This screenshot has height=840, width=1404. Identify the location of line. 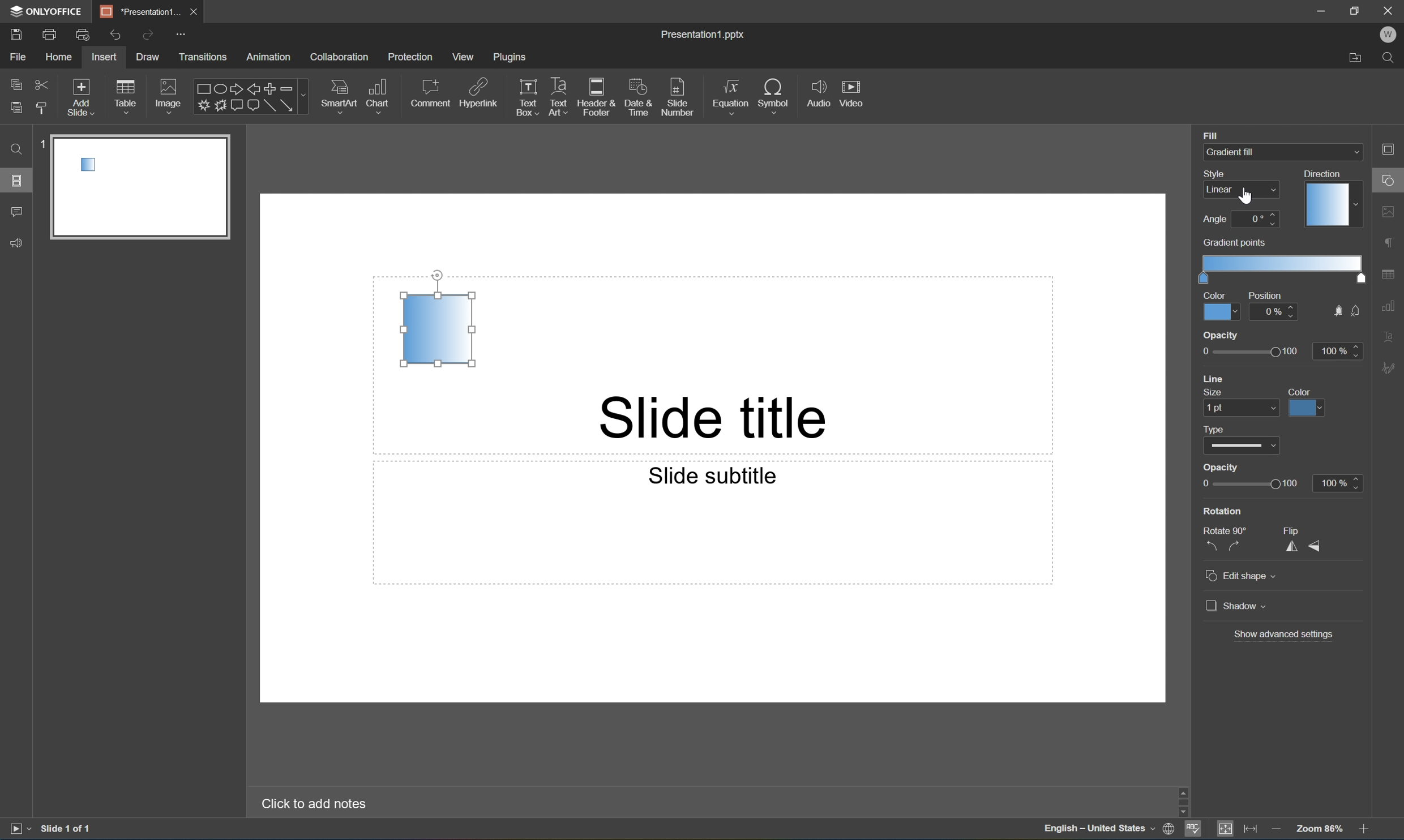
(1215, 380).